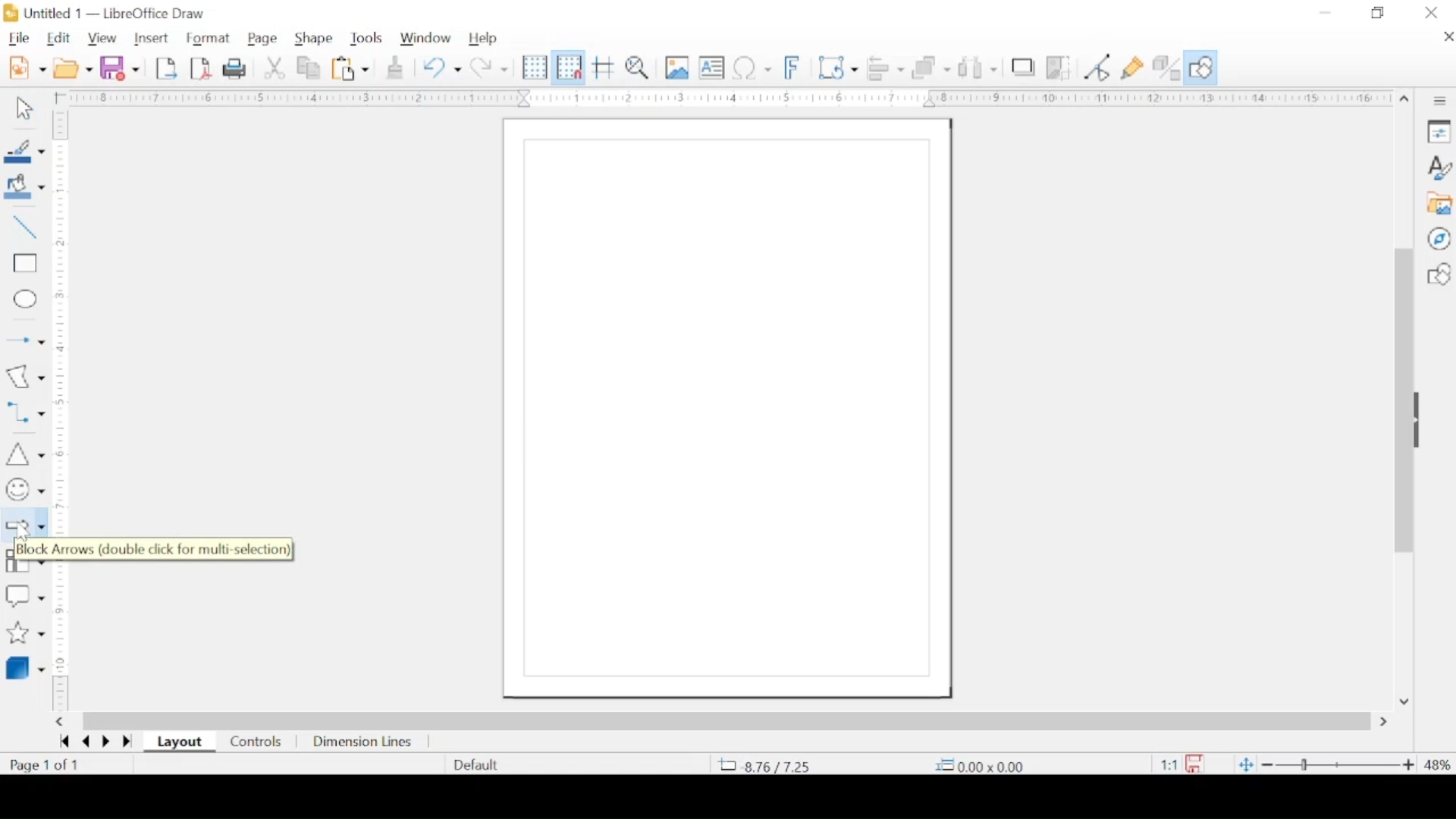 The width and height of the screenshot is (1456, 819). I want to click on previous, so click(83, 742).